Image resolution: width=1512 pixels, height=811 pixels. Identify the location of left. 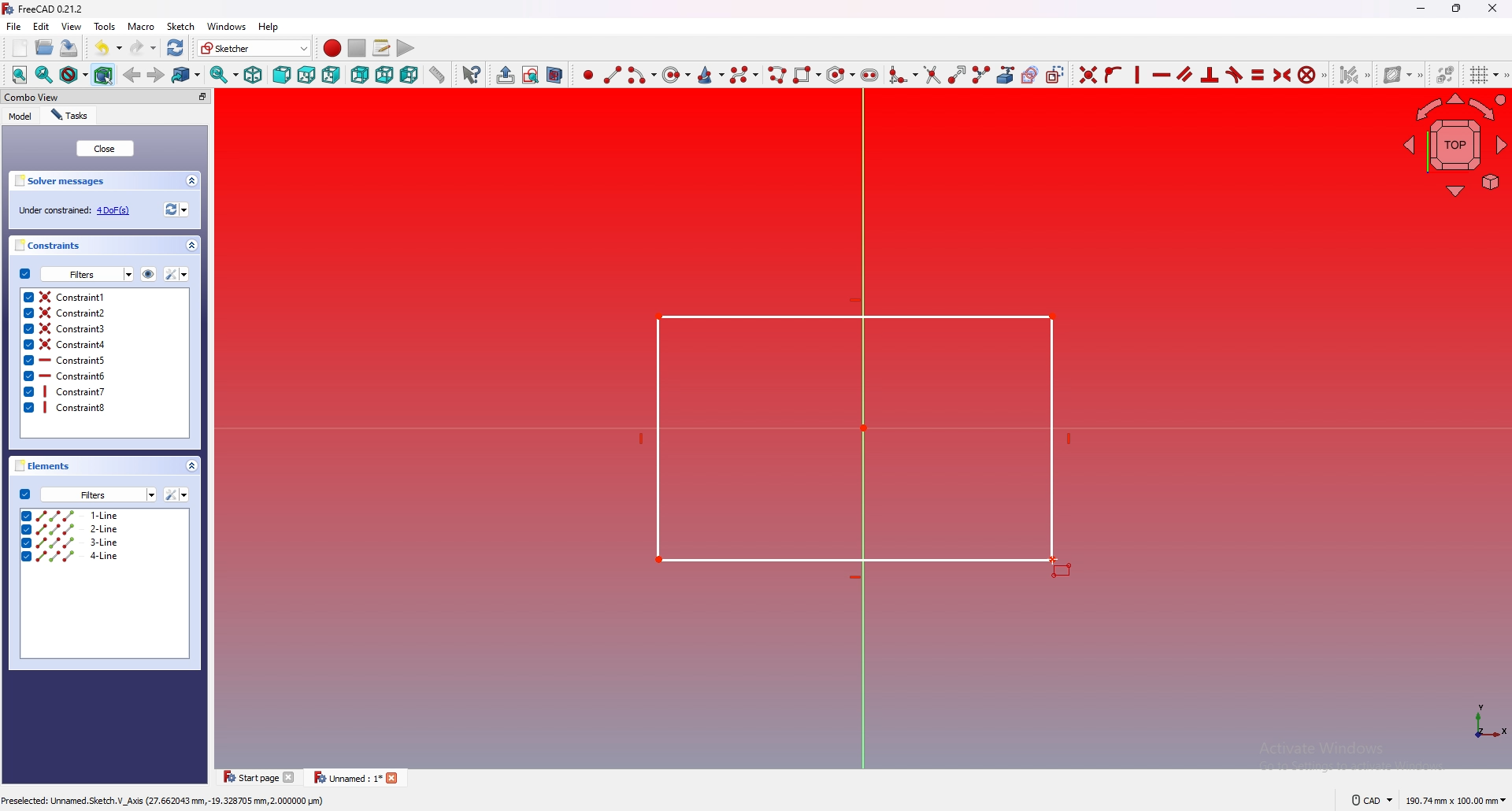
(409, 74).